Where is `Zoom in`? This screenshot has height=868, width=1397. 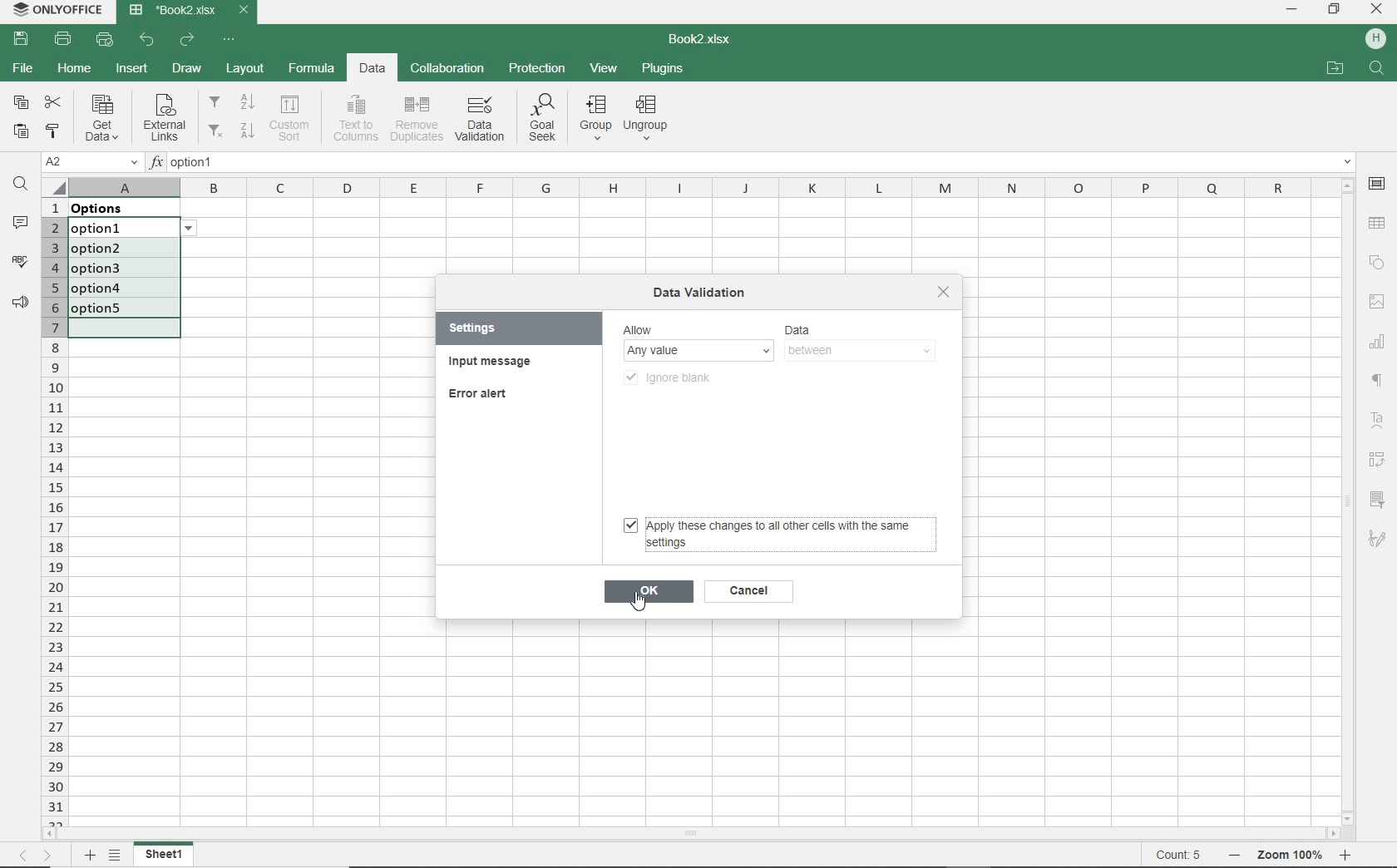
Zoom in is located at coordinates (1348, 857).